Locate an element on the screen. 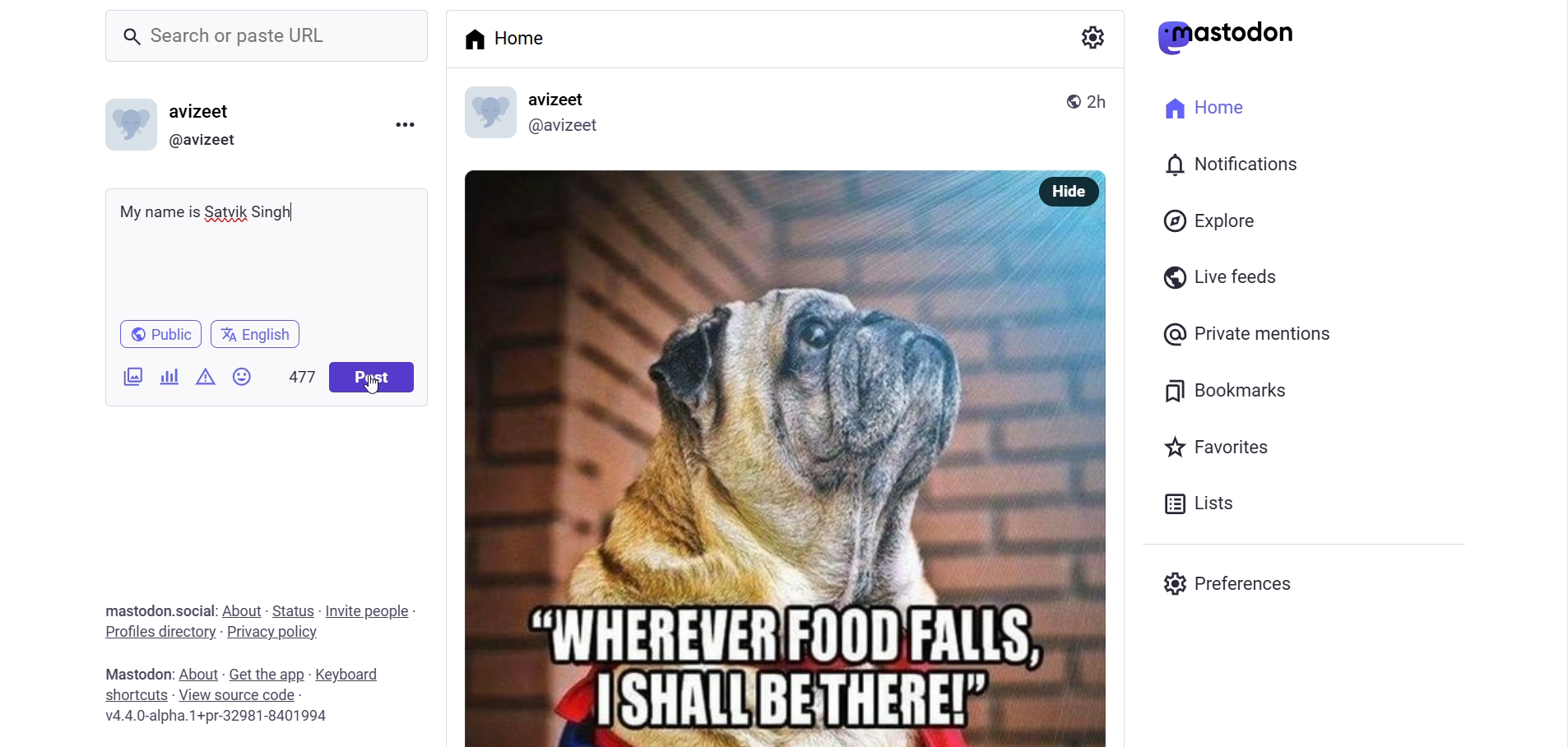 Image resolution: width=1568 pixels, height=747 pixels. @avizeet is located at coordinates (569, 127).